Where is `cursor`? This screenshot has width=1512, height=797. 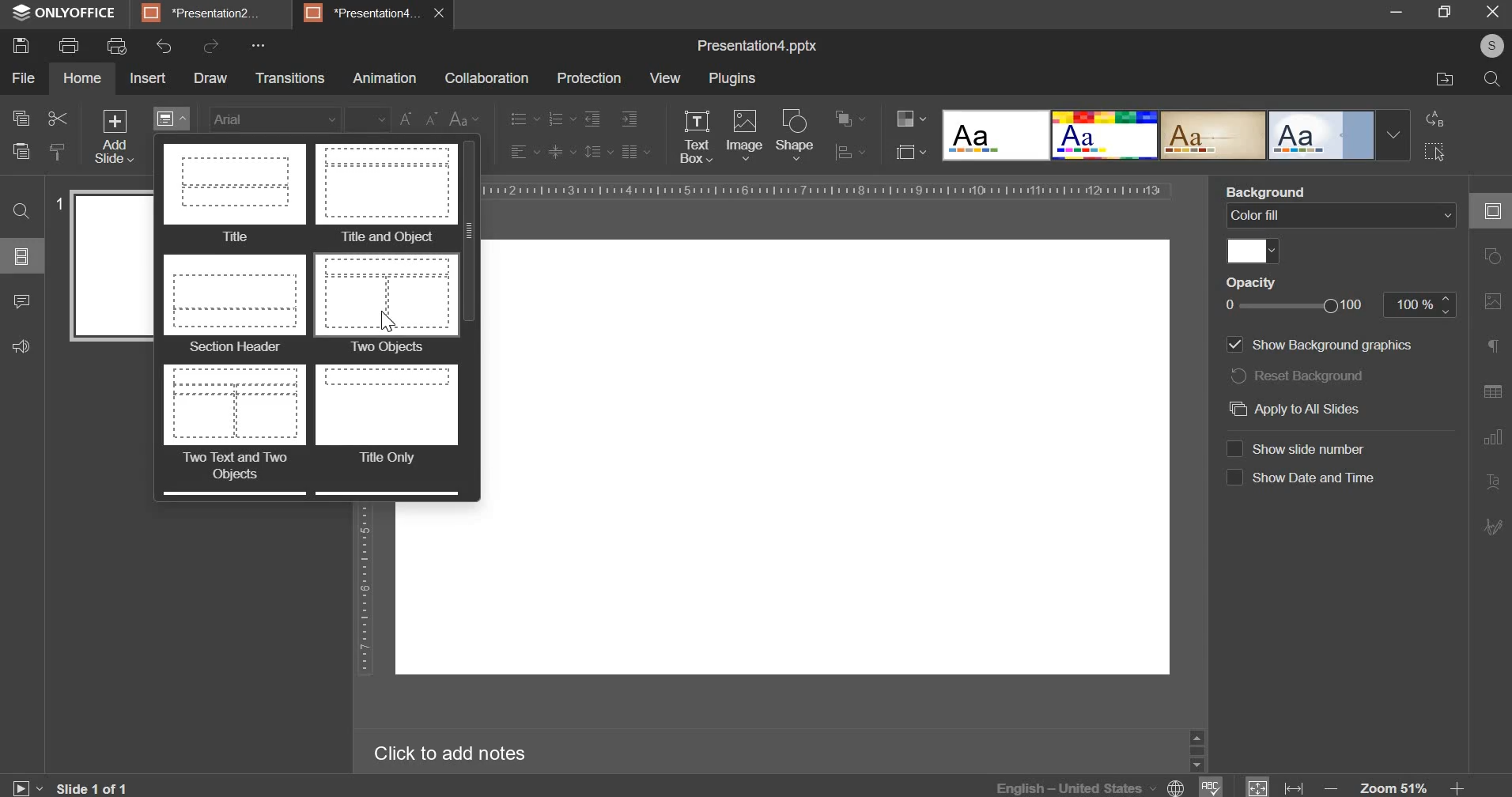 cursor is located at coordinates (391, 321).